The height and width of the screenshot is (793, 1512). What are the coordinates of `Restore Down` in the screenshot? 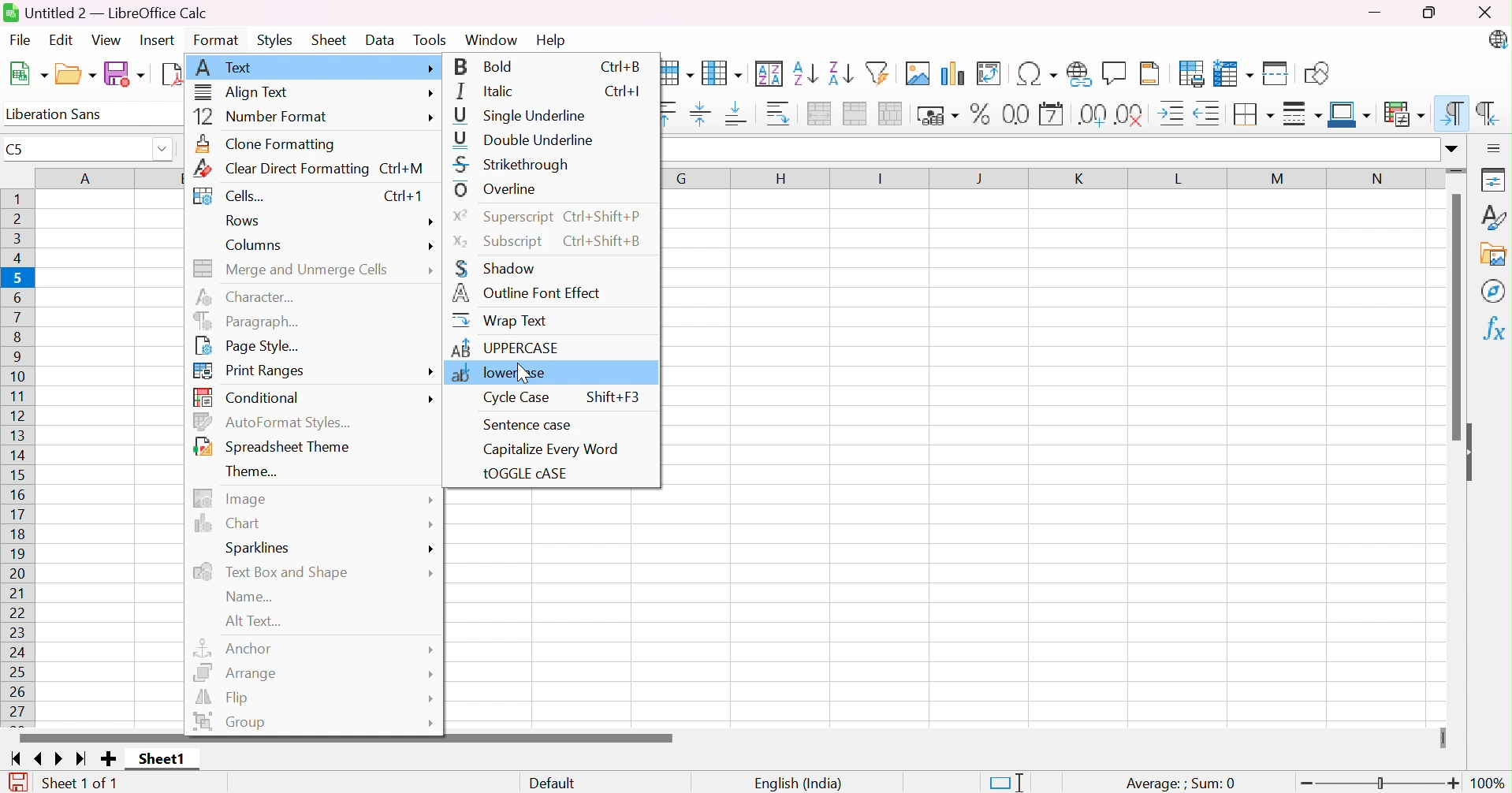 It's located at (1435, 12).